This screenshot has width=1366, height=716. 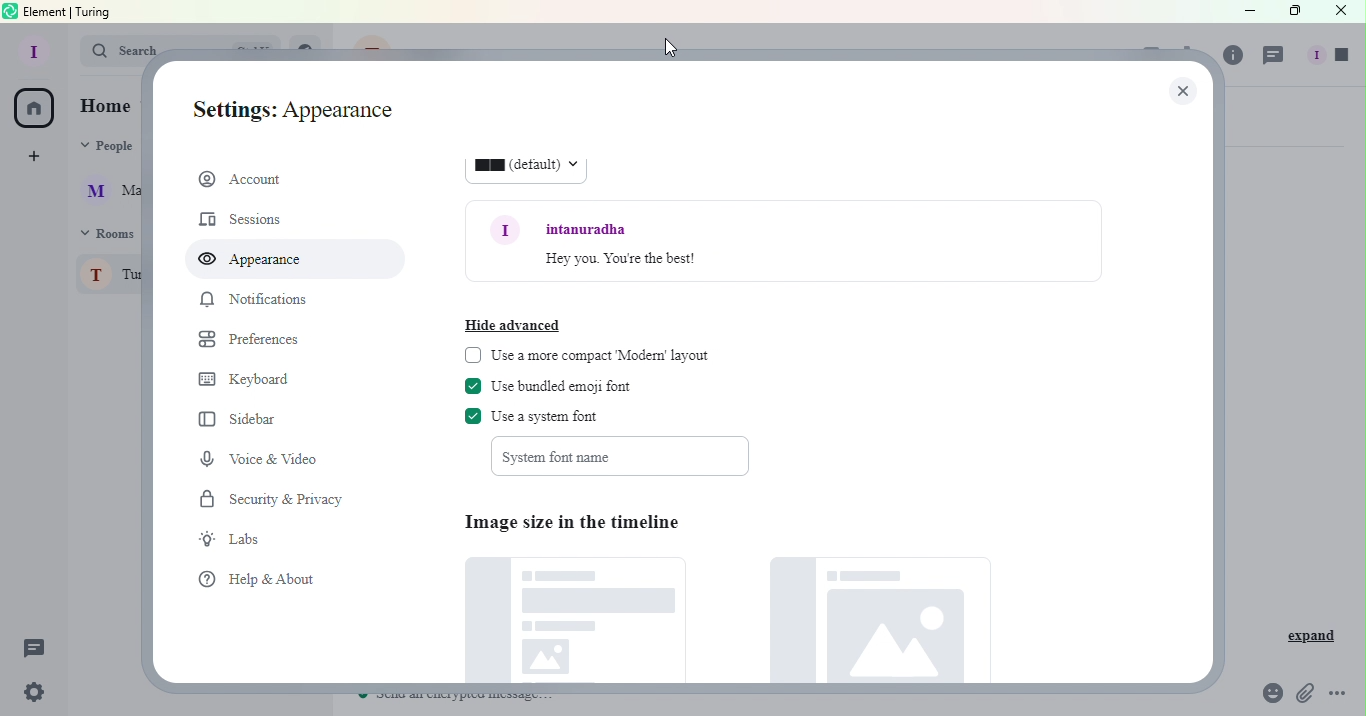 What do you see at coordinates (97, 12) in the screenshot?
I see `turing` at bounding box center [97, 12].